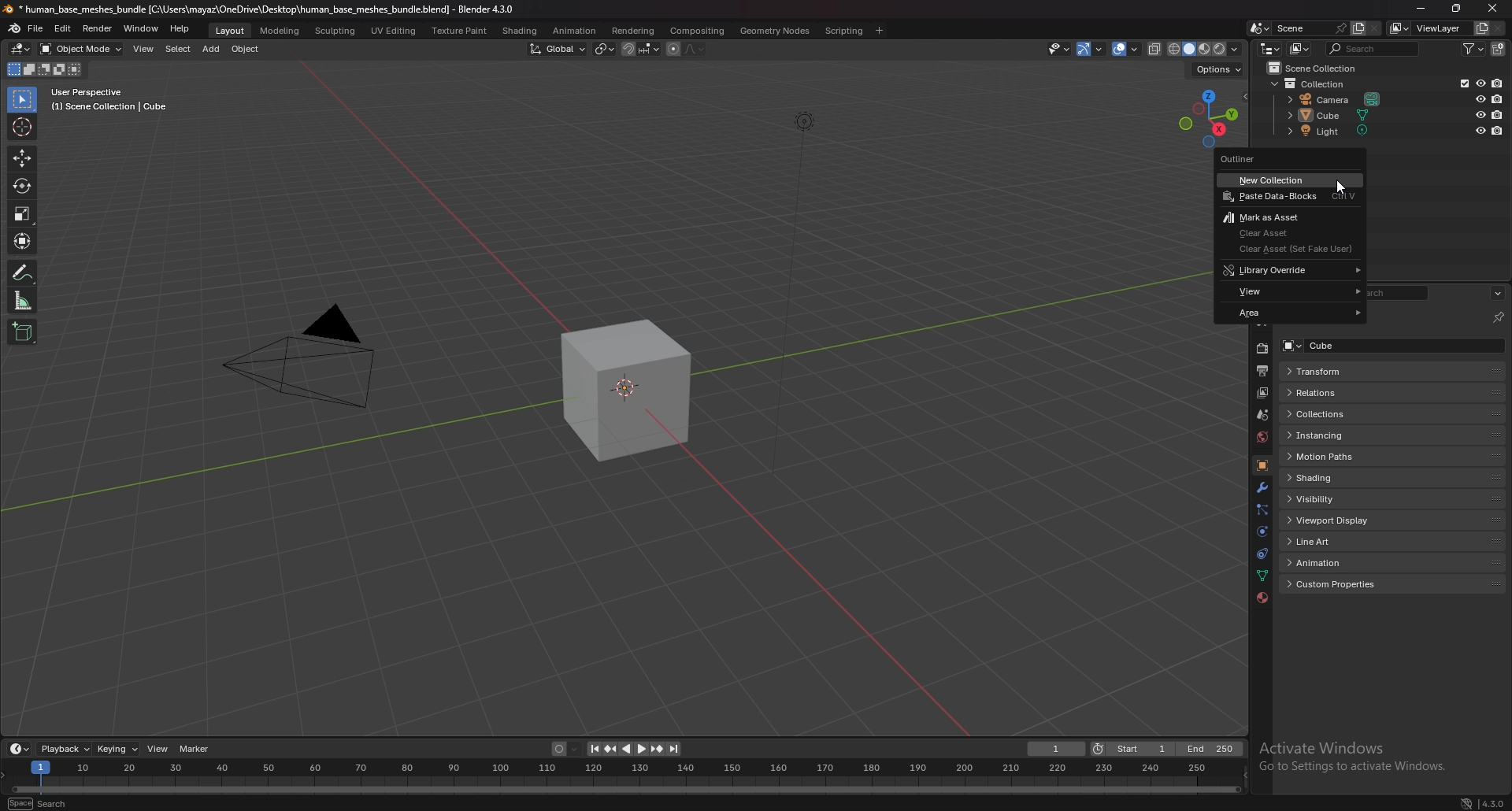 Image resolution: width=1512 pixels, height=811 pixels. Describe the element at coordinates (1345, 585) in the screenshot. I see `custom properties` at that location.